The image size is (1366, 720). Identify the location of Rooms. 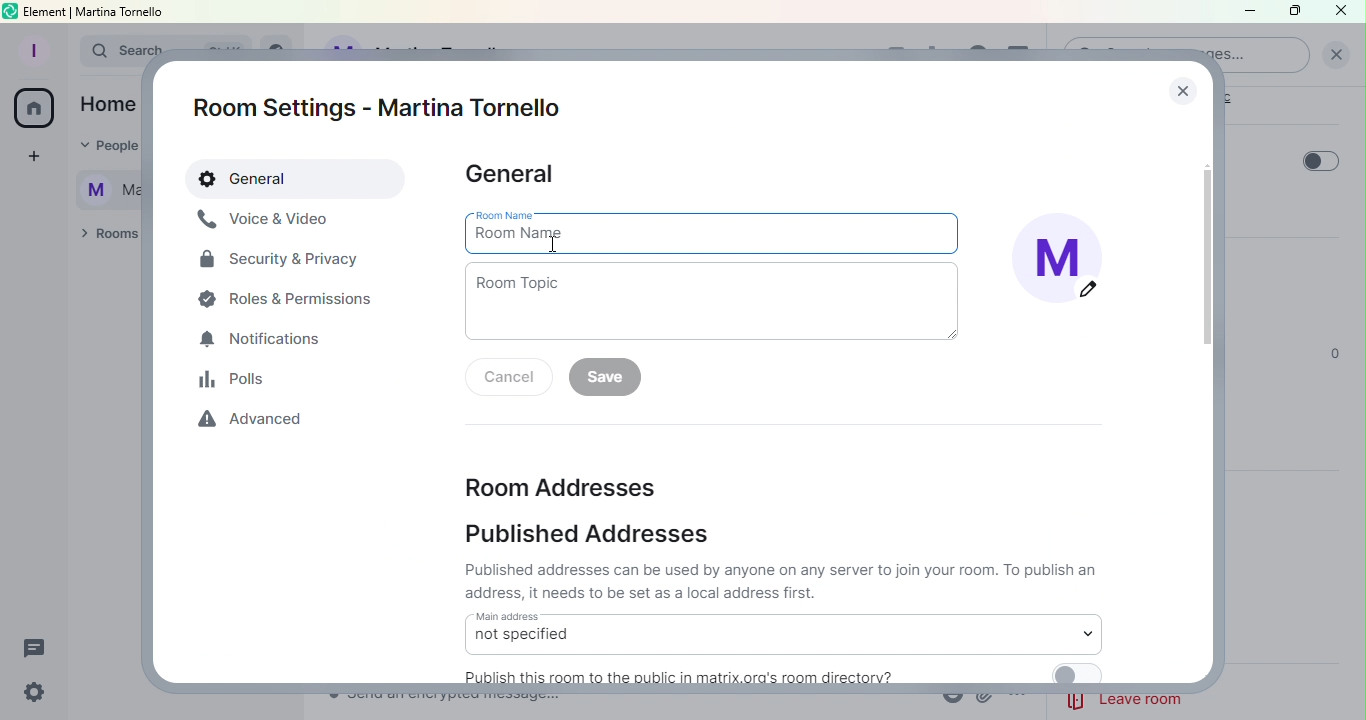
(105, 235).